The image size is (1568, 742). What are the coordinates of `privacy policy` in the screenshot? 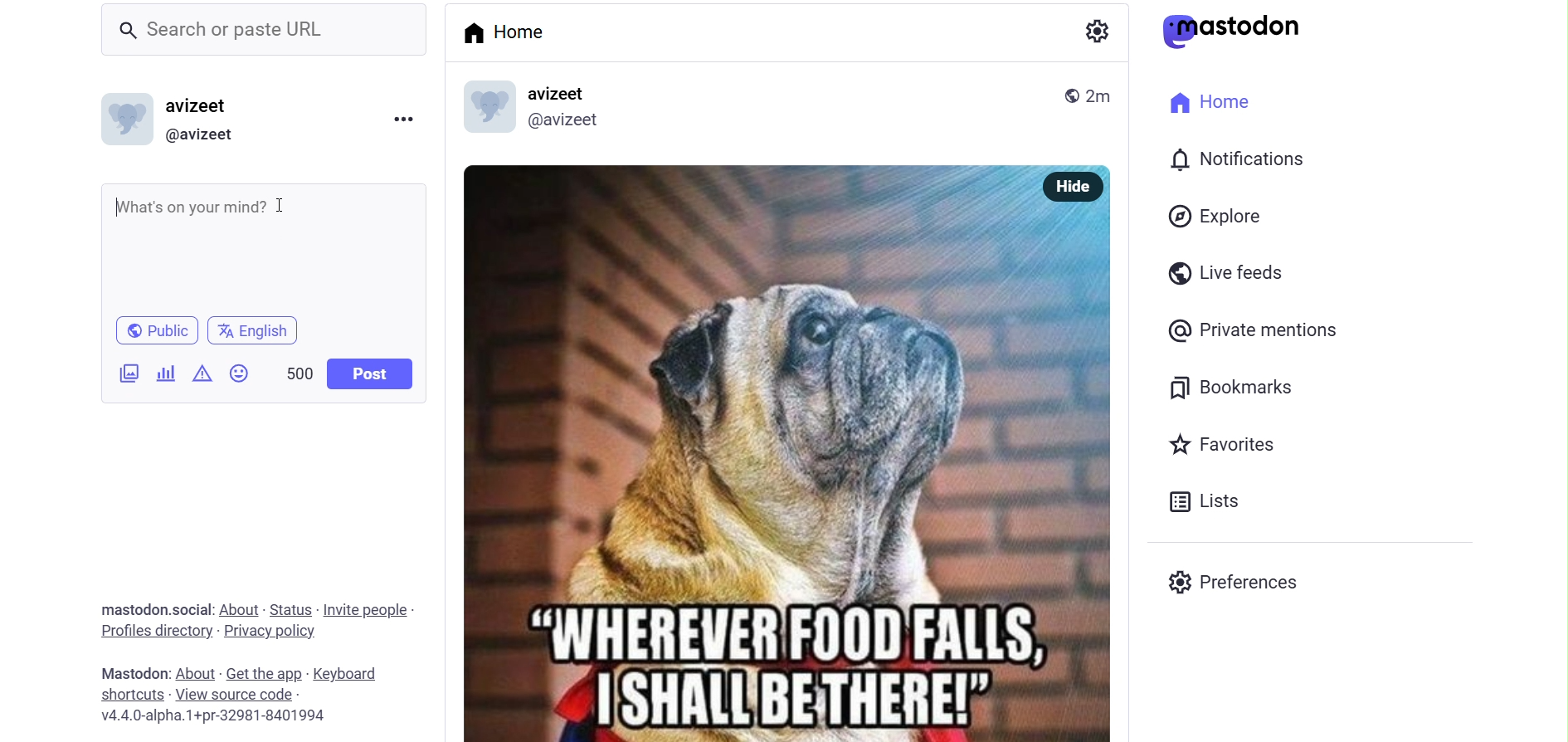 It's located at (270, 633).